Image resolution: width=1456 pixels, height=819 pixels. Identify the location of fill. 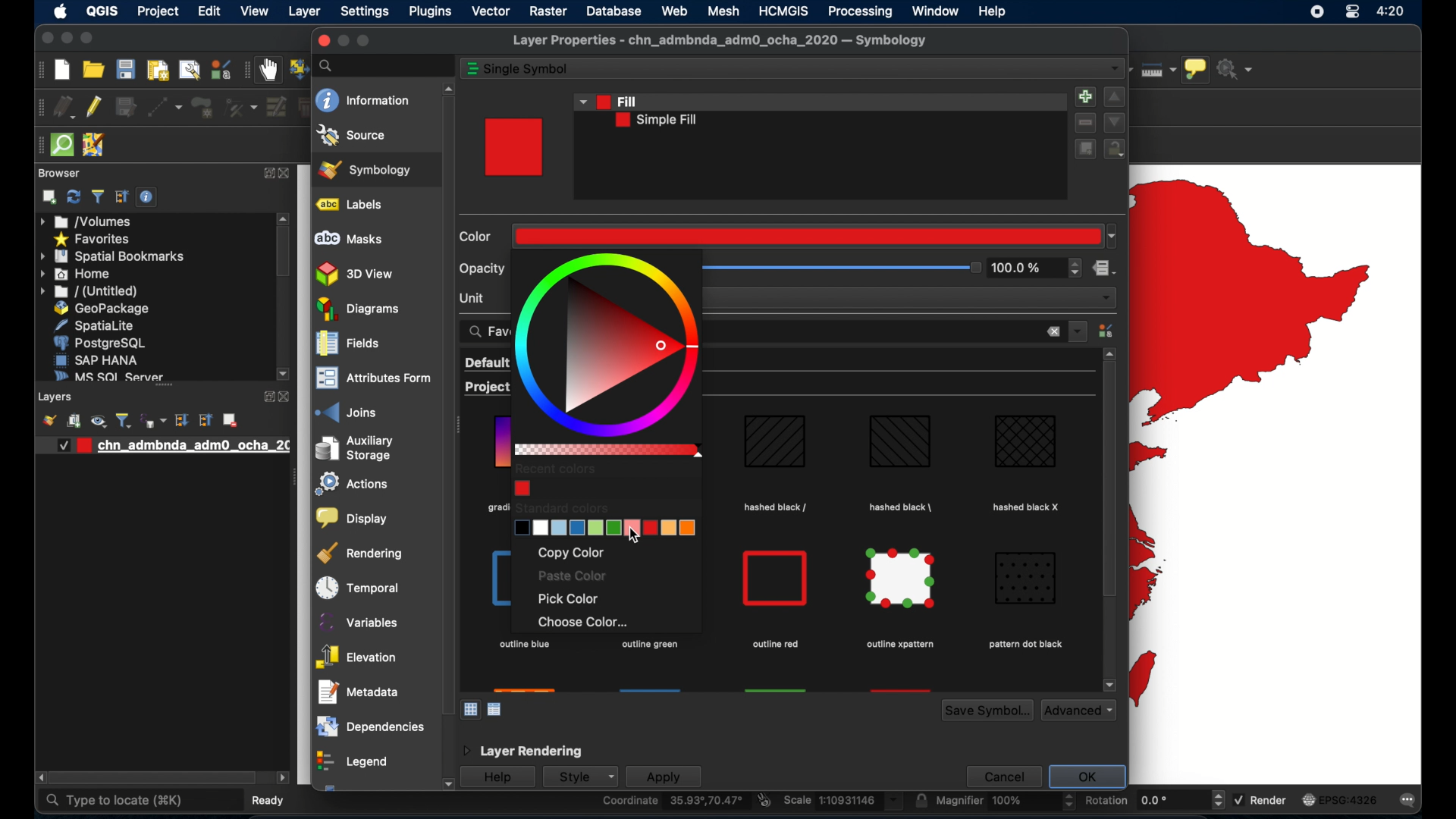
(607, 100).